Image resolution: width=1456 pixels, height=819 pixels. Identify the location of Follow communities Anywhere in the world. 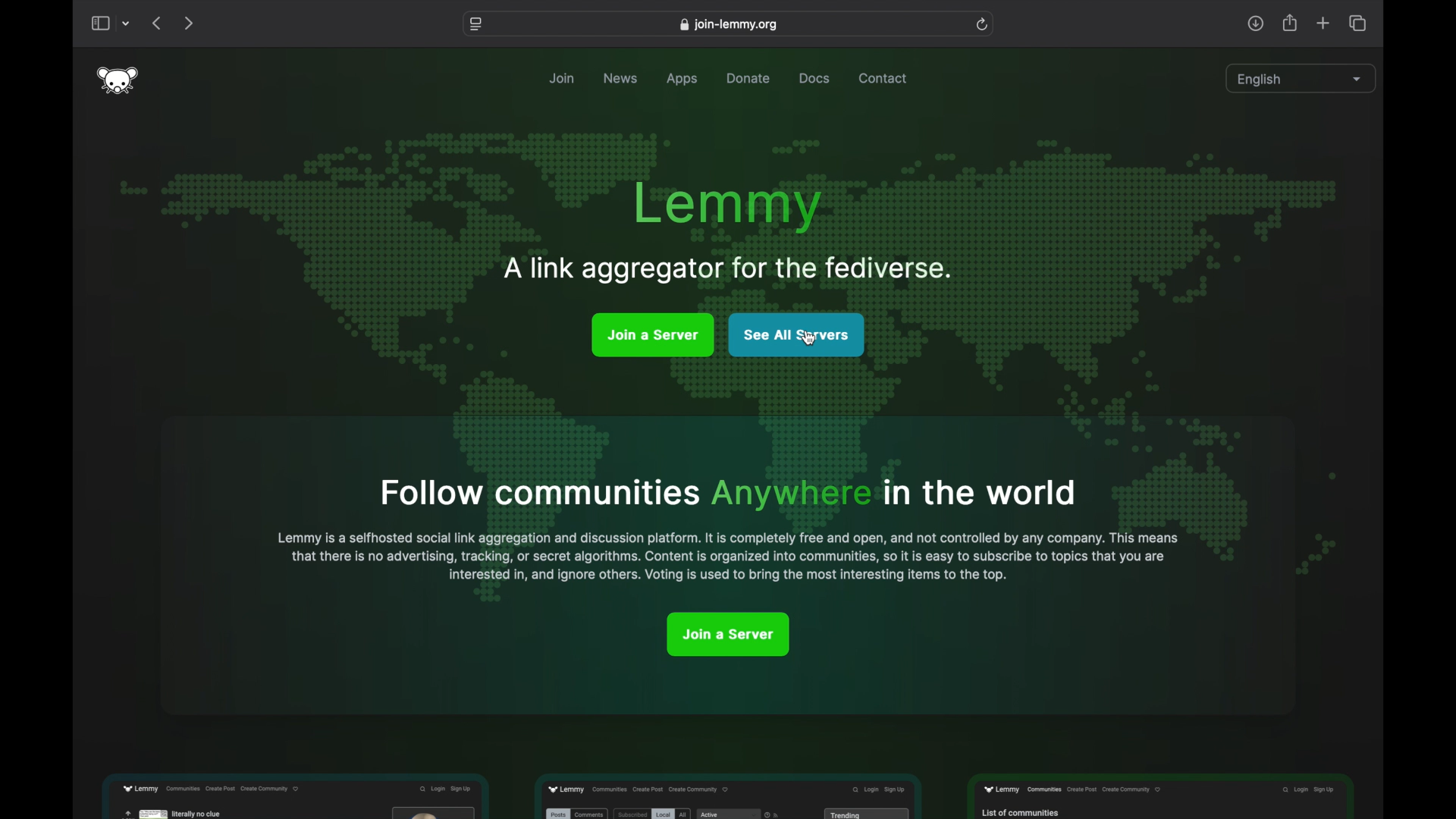
(727, 492).